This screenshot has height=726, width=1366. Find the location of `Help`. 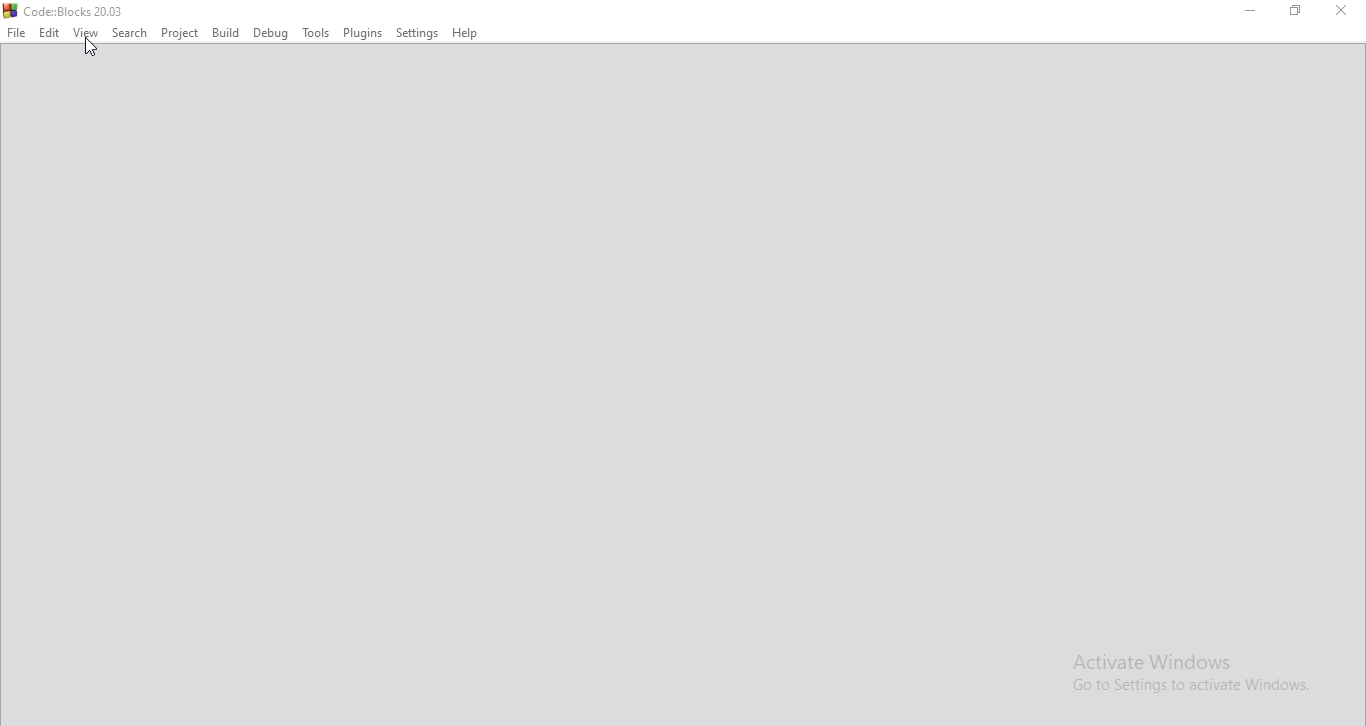

Help is located at coordinates (465, 32).